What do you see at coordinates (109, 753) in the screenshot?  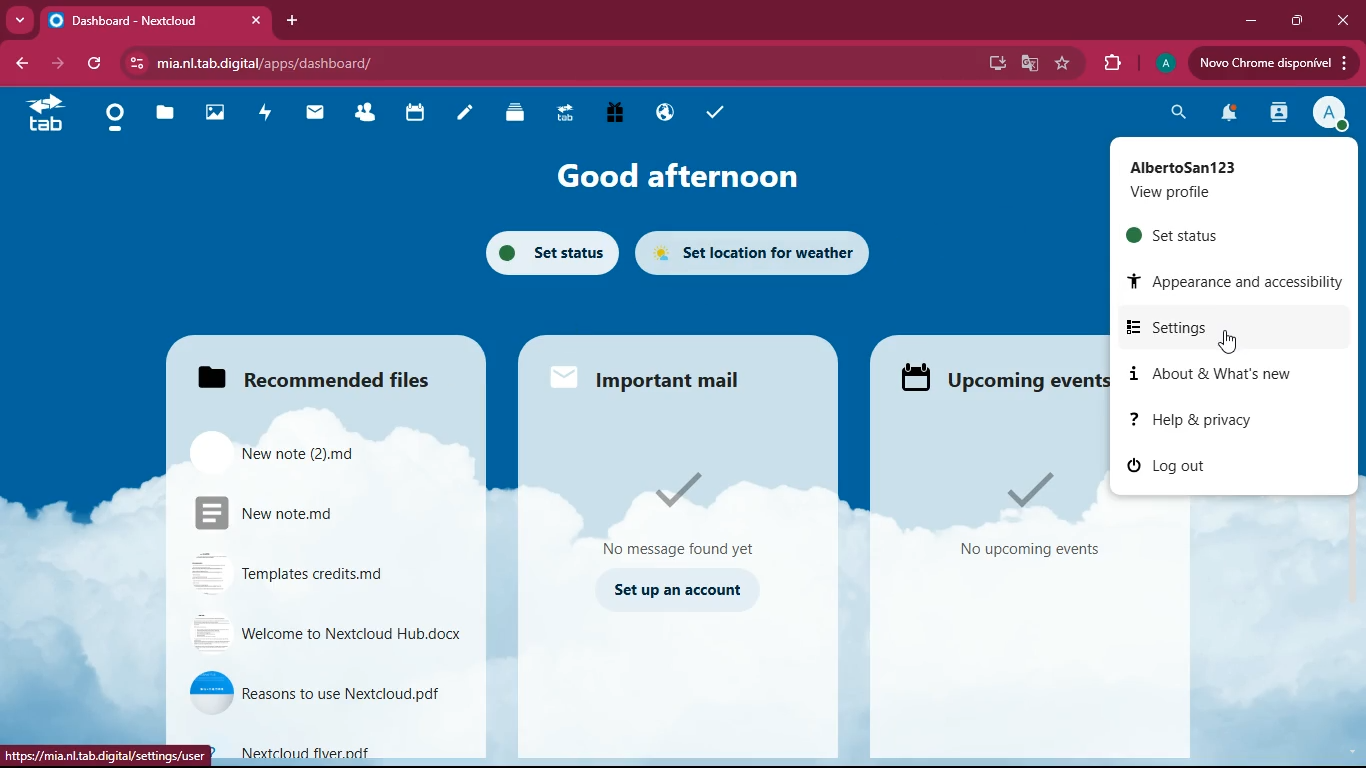 I see `url` at bounding box center [109, 753].